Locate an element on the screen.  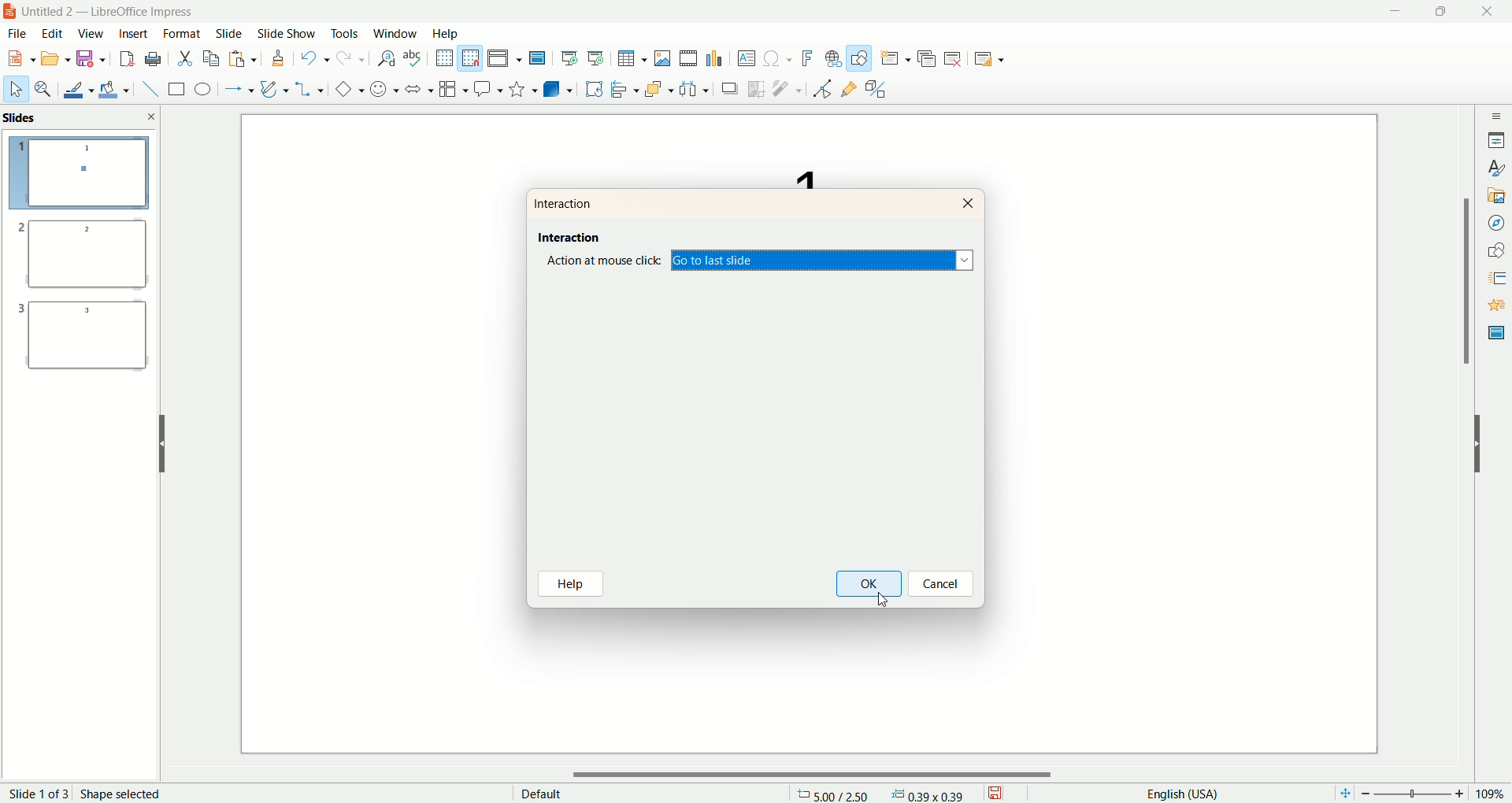
horizontal scroll bar is located at coordinates (818, 775).